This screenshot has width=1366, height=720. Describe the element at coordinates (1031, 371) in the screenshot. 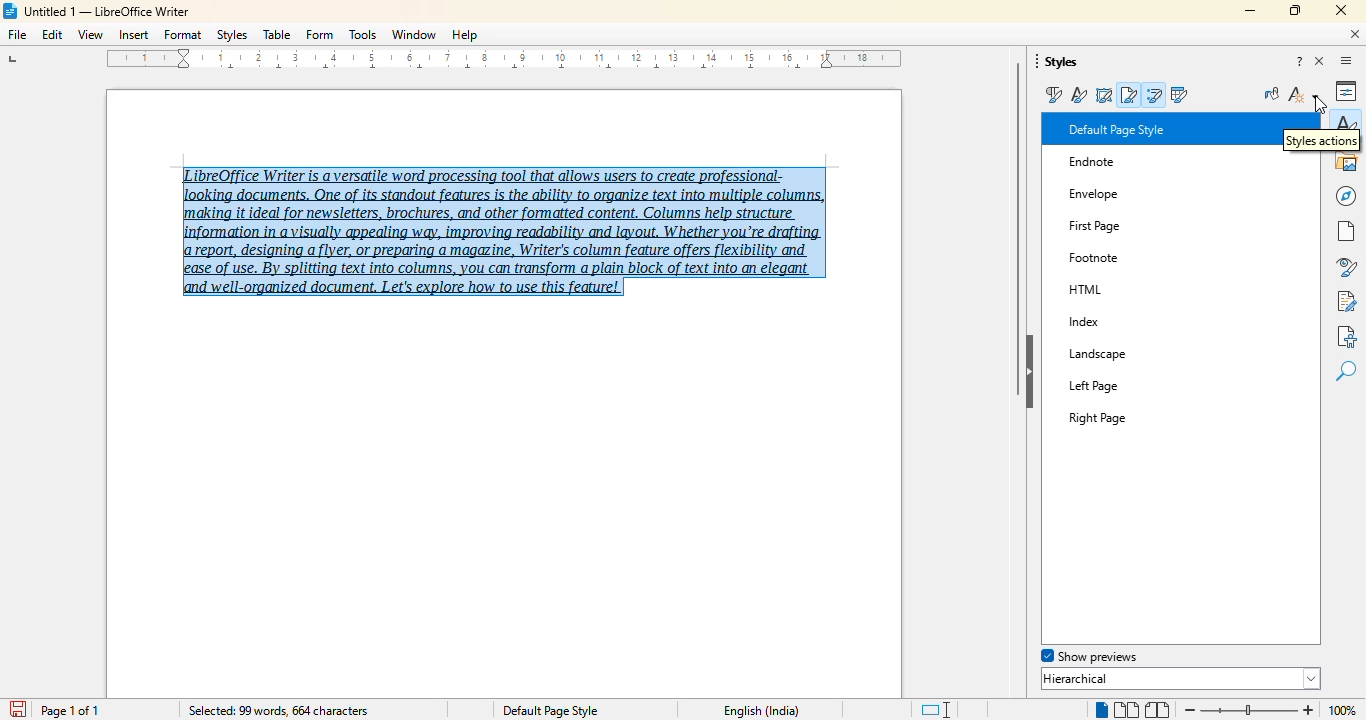

I see `hide` at that location.